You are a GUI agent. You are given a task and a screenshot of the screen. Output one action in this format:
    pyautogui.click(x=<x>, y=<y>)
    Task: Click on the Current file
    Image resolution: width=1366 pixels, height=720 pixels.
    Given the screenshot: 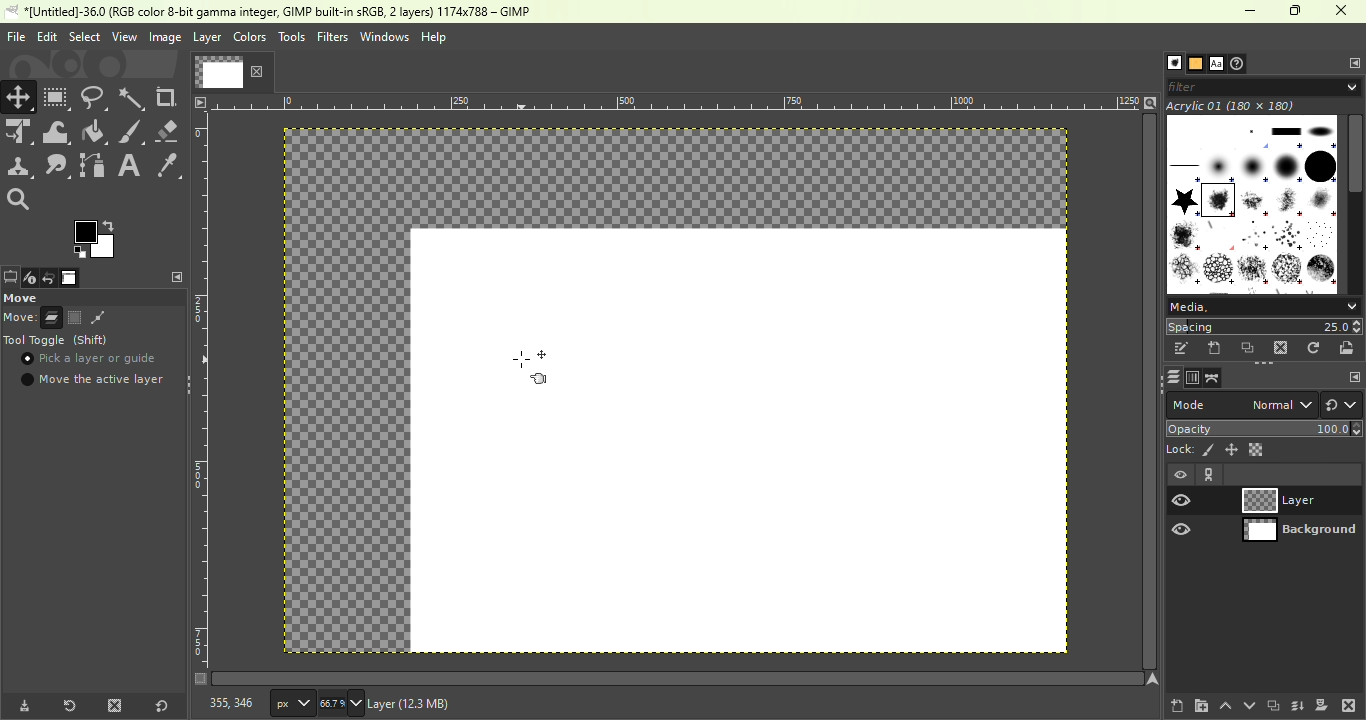 What is the action you would take?
    pyautogui.click(x=231, y=71)
    